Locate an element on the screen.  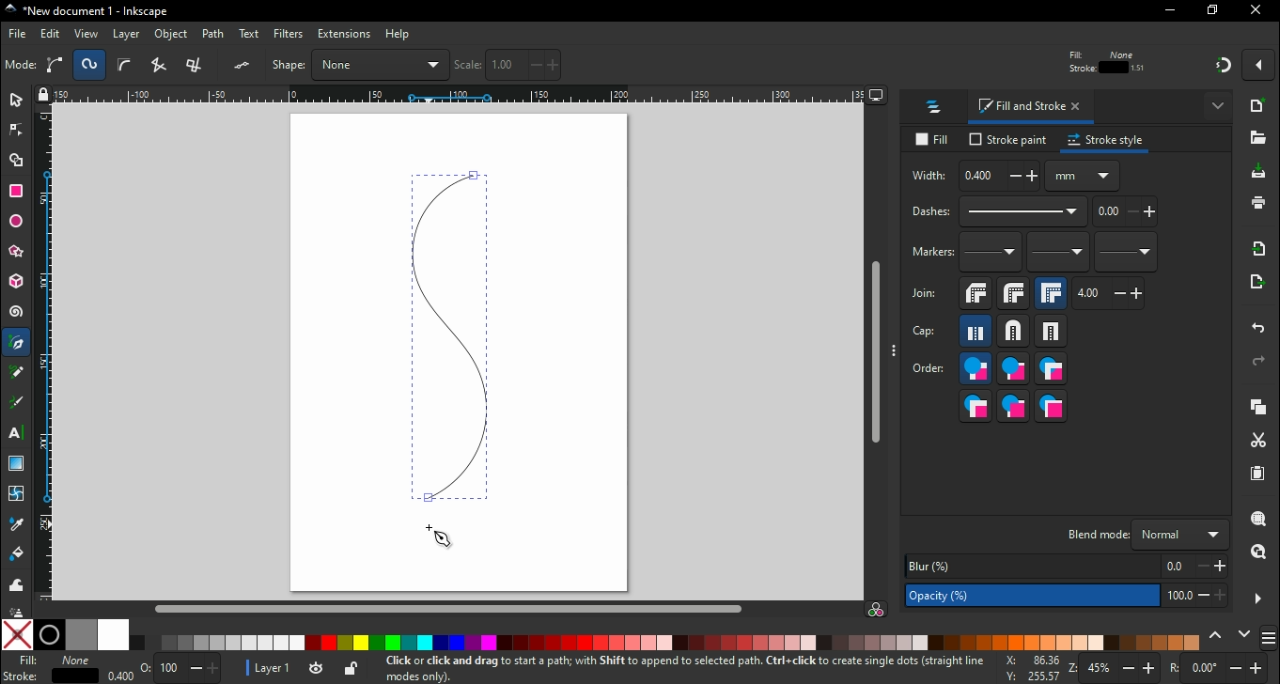
view is located at coordinates (85, 34).